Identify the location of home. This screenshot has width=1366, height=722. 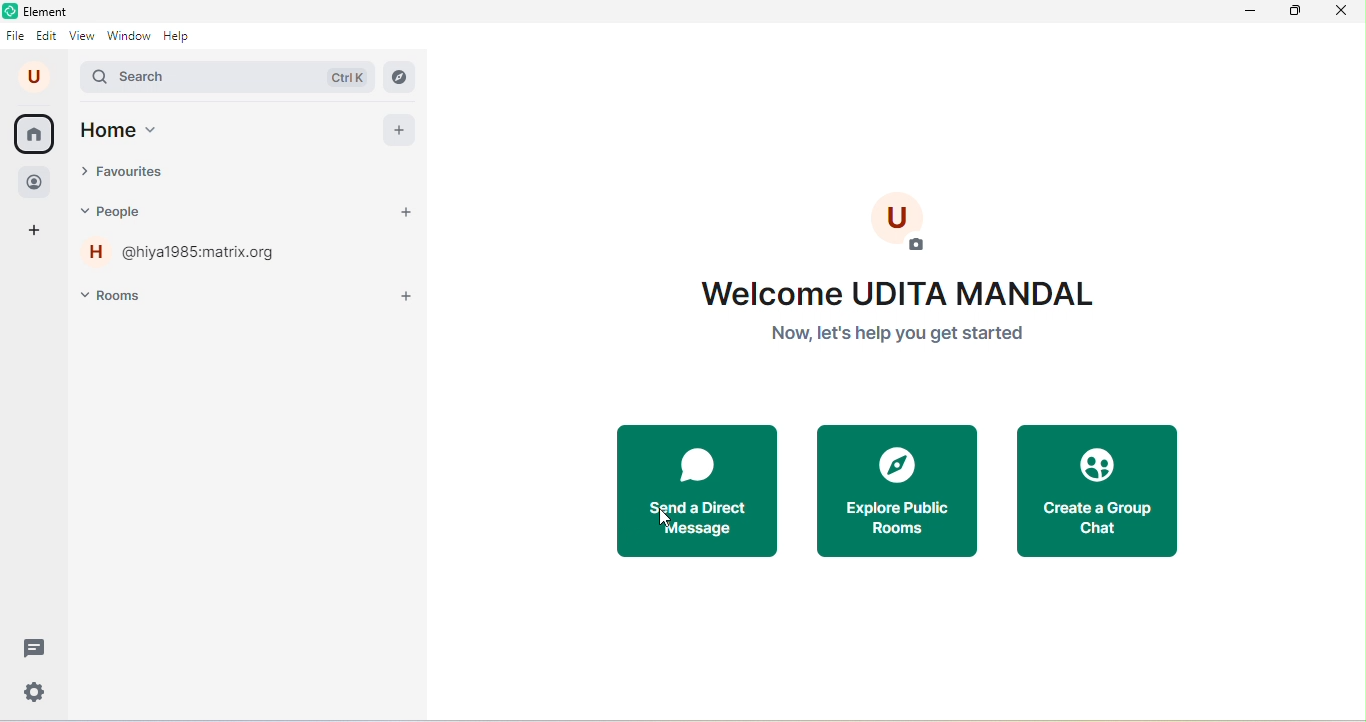
(121, 129).